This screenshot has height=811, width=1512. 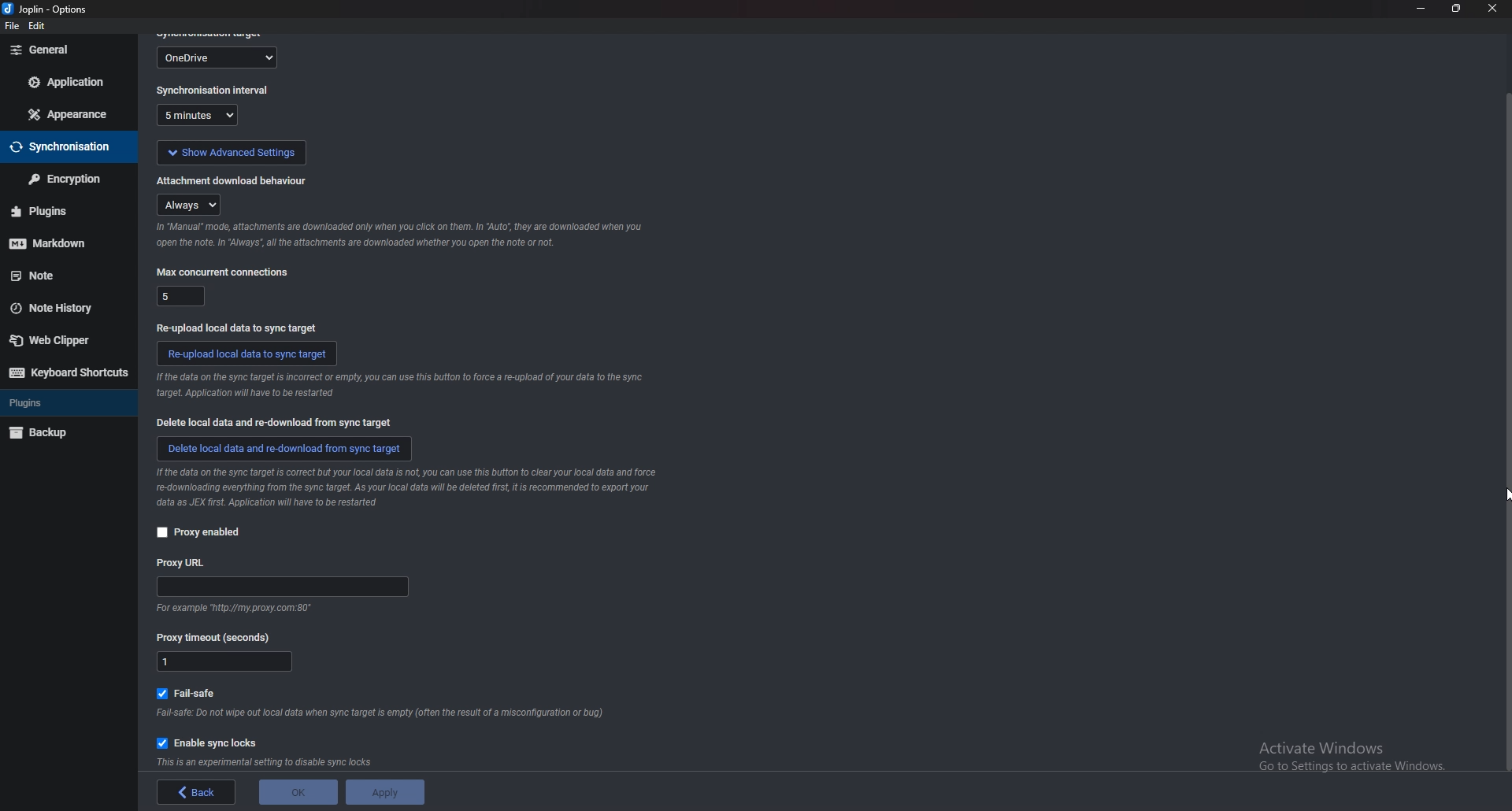 What do you see at coordinates (266, 762) in the screenshot?
I see `info` at bounding box center [266, 762].